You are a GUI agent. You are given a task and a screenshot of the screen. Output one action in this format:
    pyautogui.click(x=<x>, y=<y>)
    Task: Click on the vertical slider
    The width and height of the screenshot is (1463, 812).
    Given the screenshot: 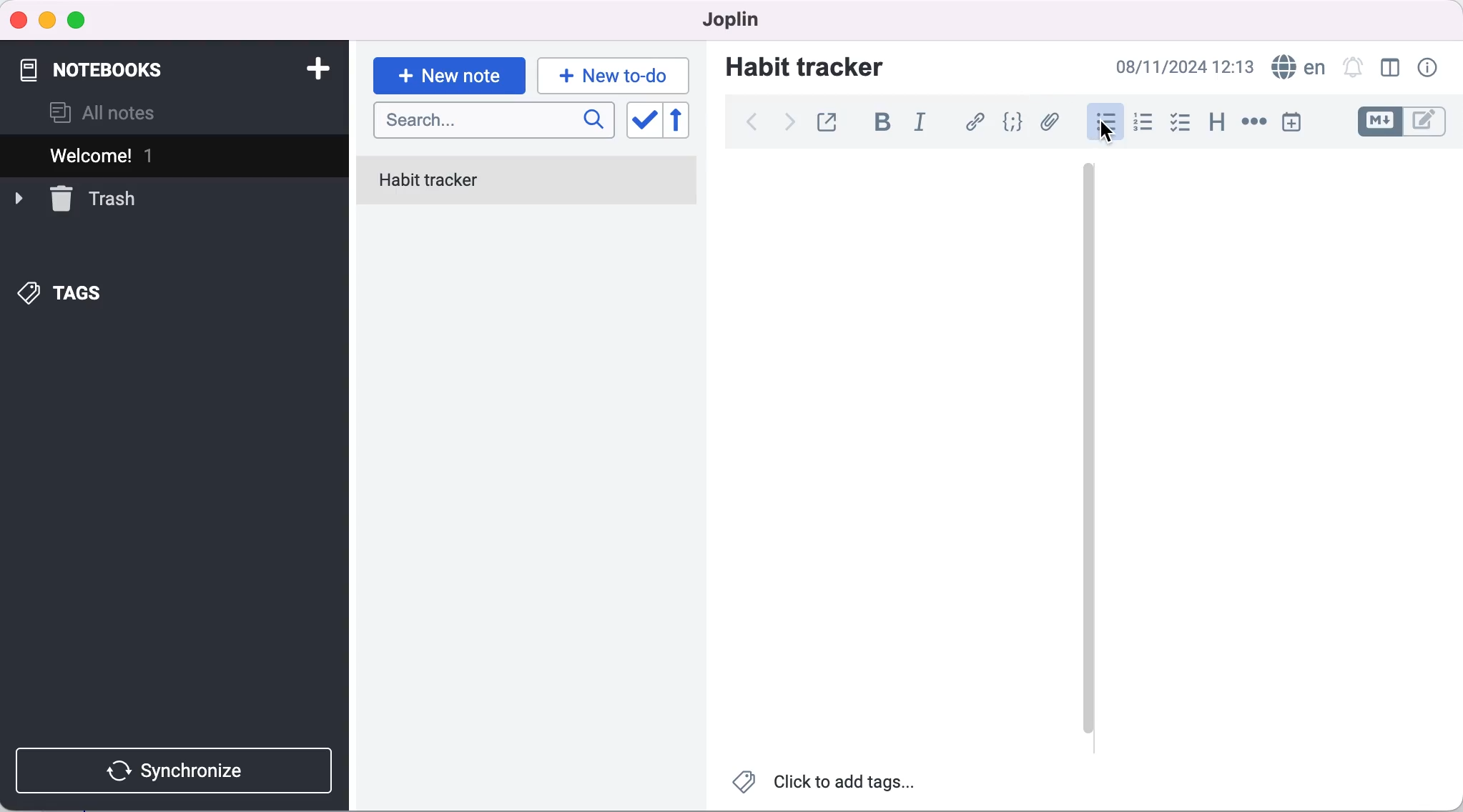 What is the action you would take?
    pyautogui.click(x=1088, y=450)
    